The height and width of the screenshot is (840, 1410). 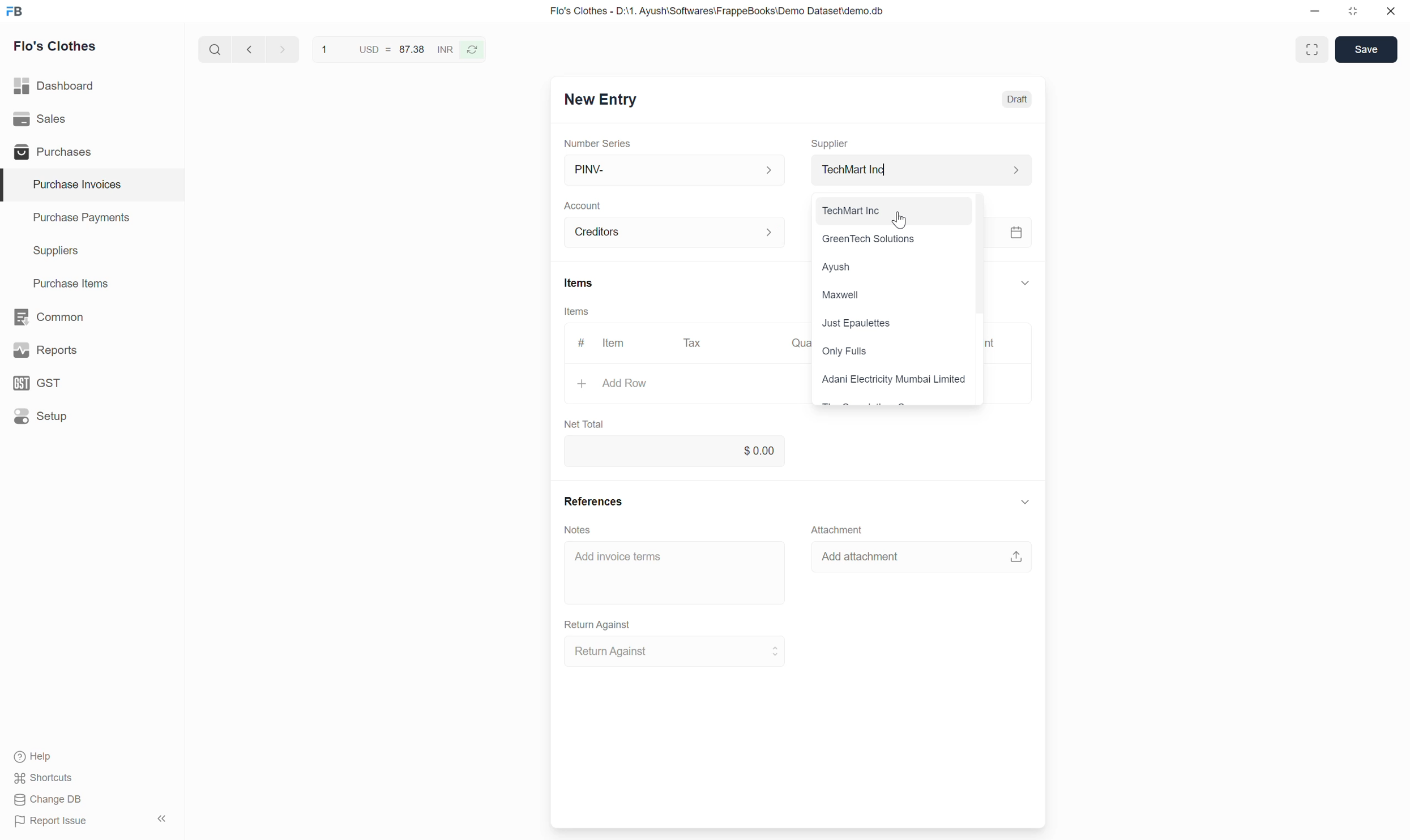 What do you see at coordinates (1311, 49) in the screenshot?
I see `Toggle between form and full width` at bounding box center [1311, 49].